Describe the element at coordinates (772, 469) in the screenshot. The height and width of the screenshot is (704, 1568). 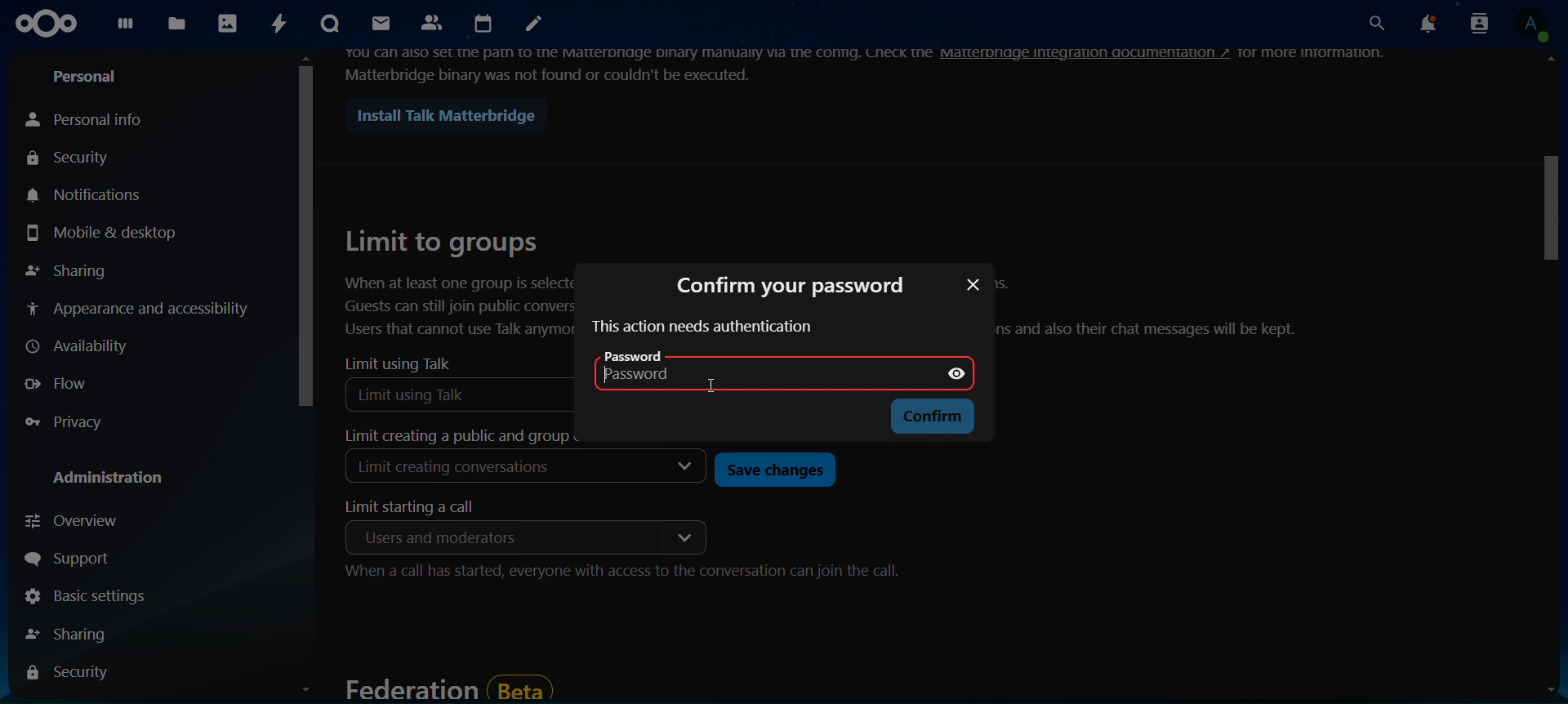
I see `save changes` at that location.